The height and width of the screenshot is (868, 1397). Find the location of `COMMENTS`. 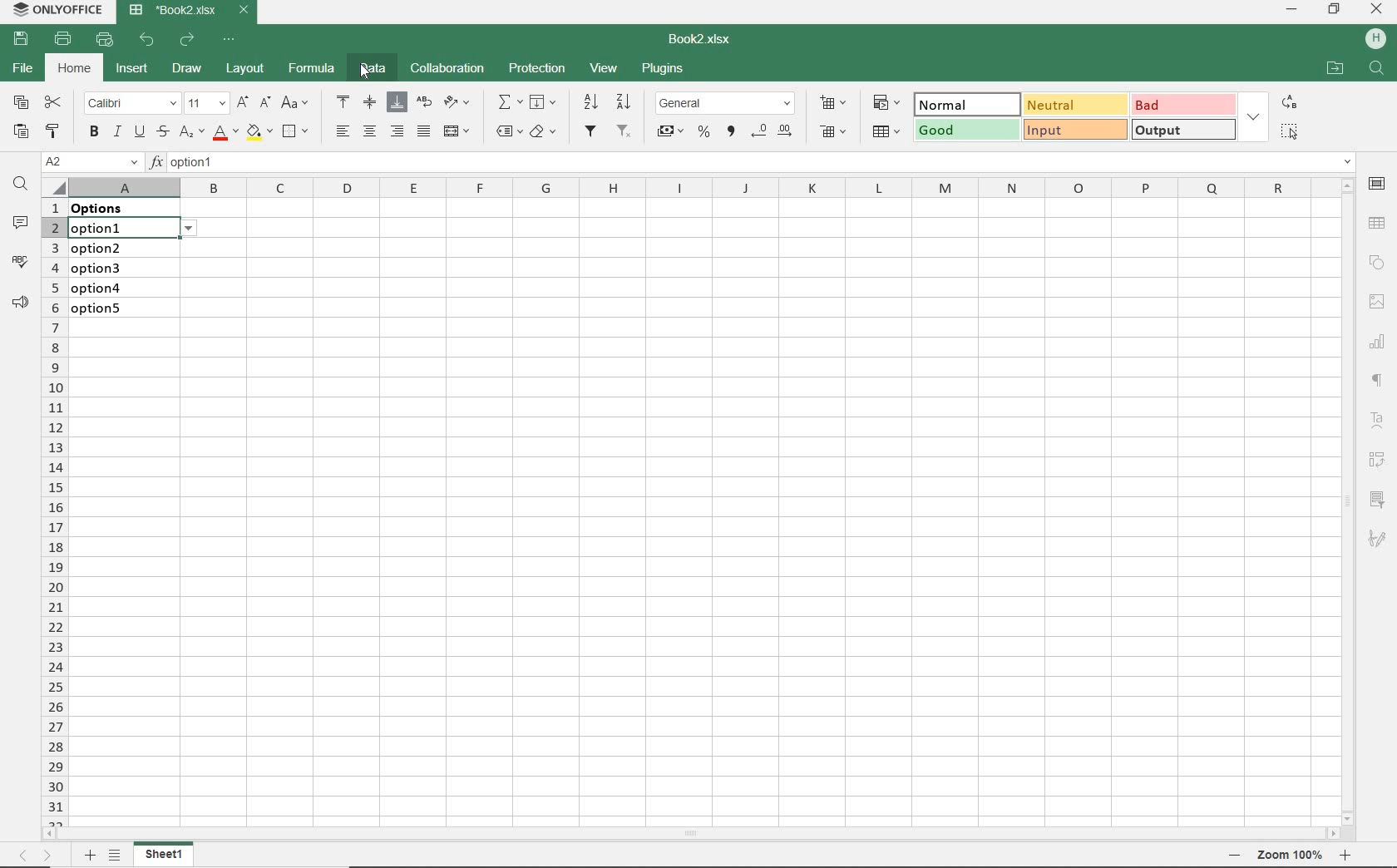

COMMENTS is located at coordinates (21, 223).